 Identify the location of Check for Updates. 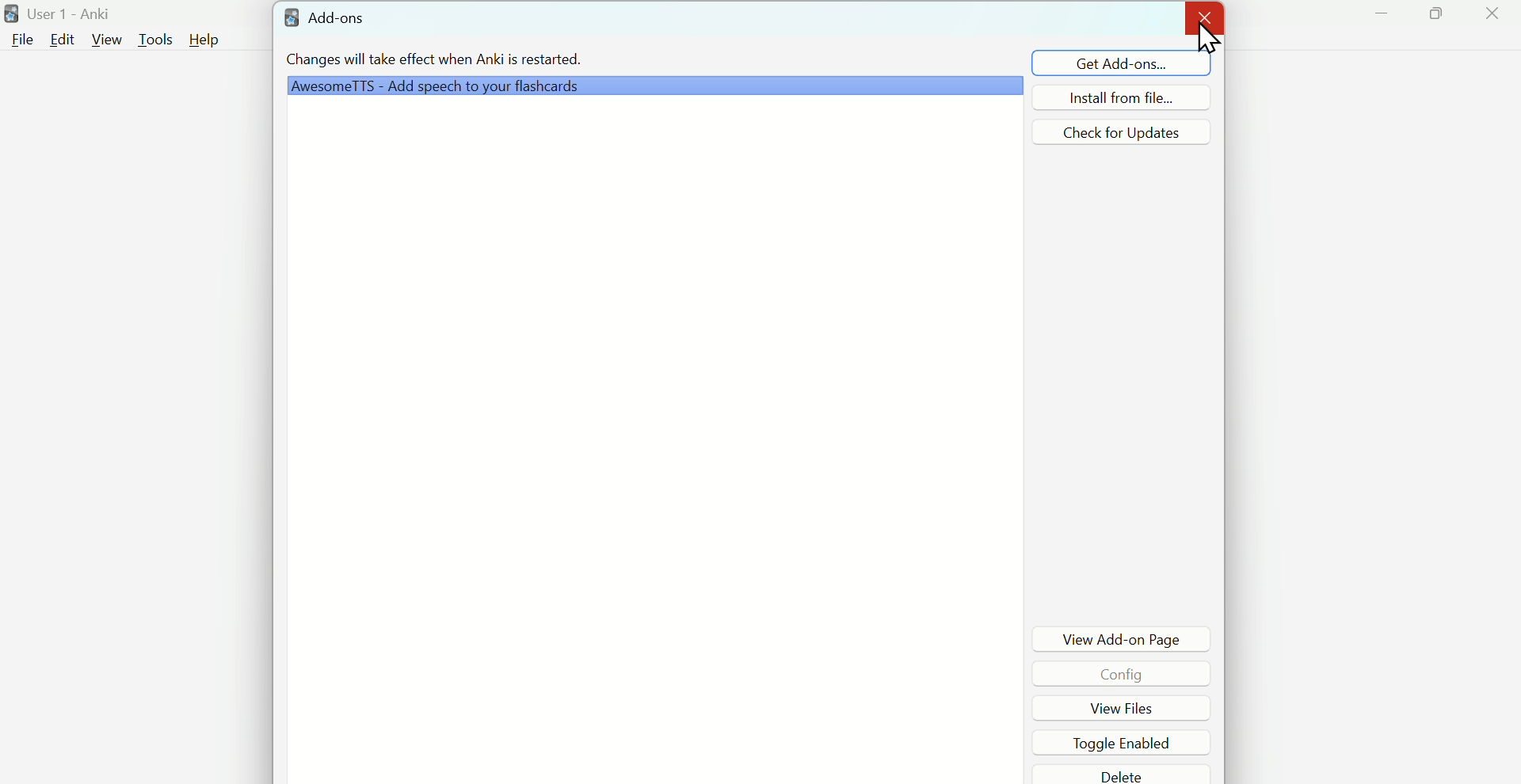
(1130, 131).